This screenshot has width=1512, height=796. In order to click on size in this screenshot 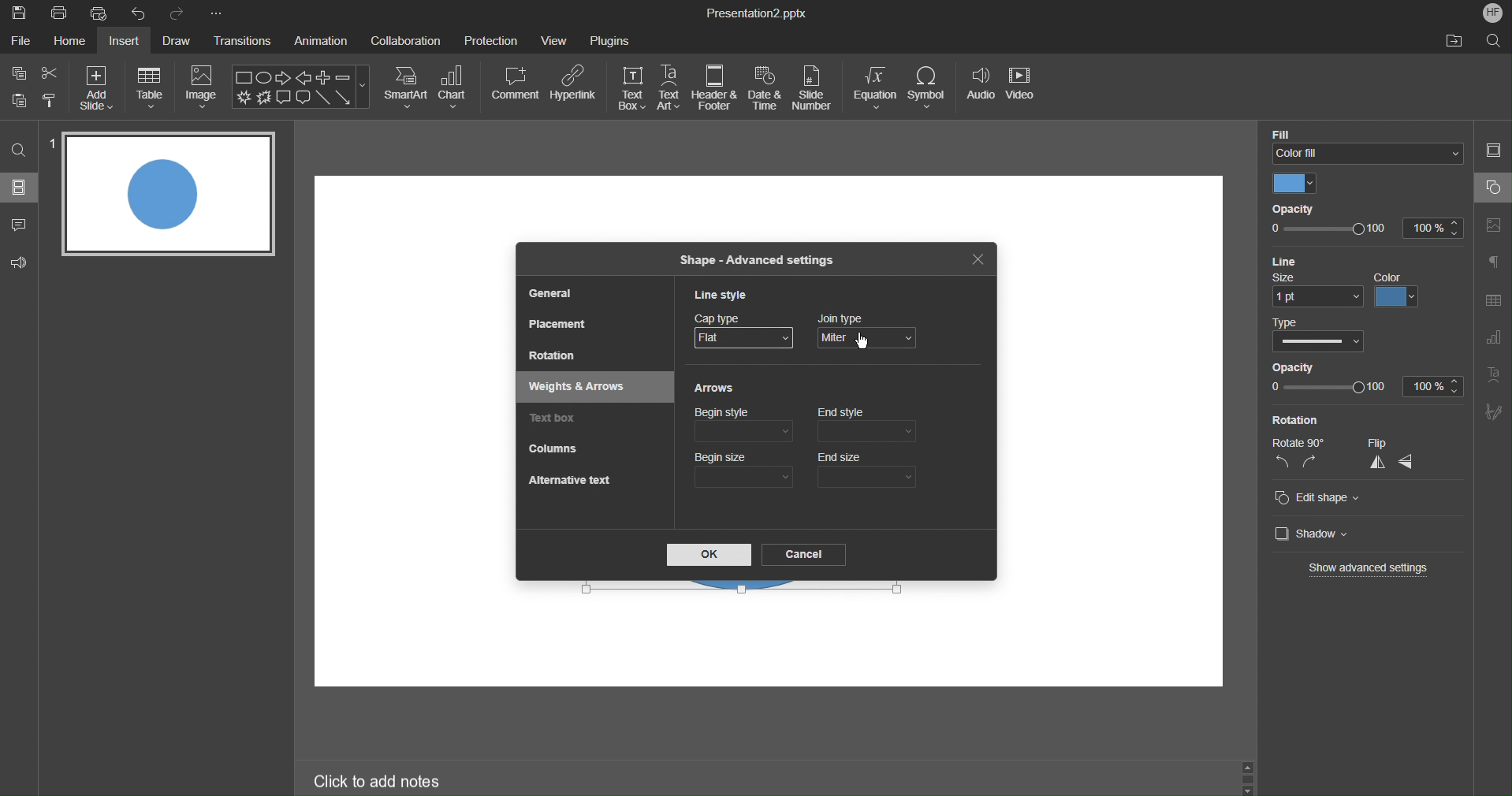, I will do `click(1317, 289)`.